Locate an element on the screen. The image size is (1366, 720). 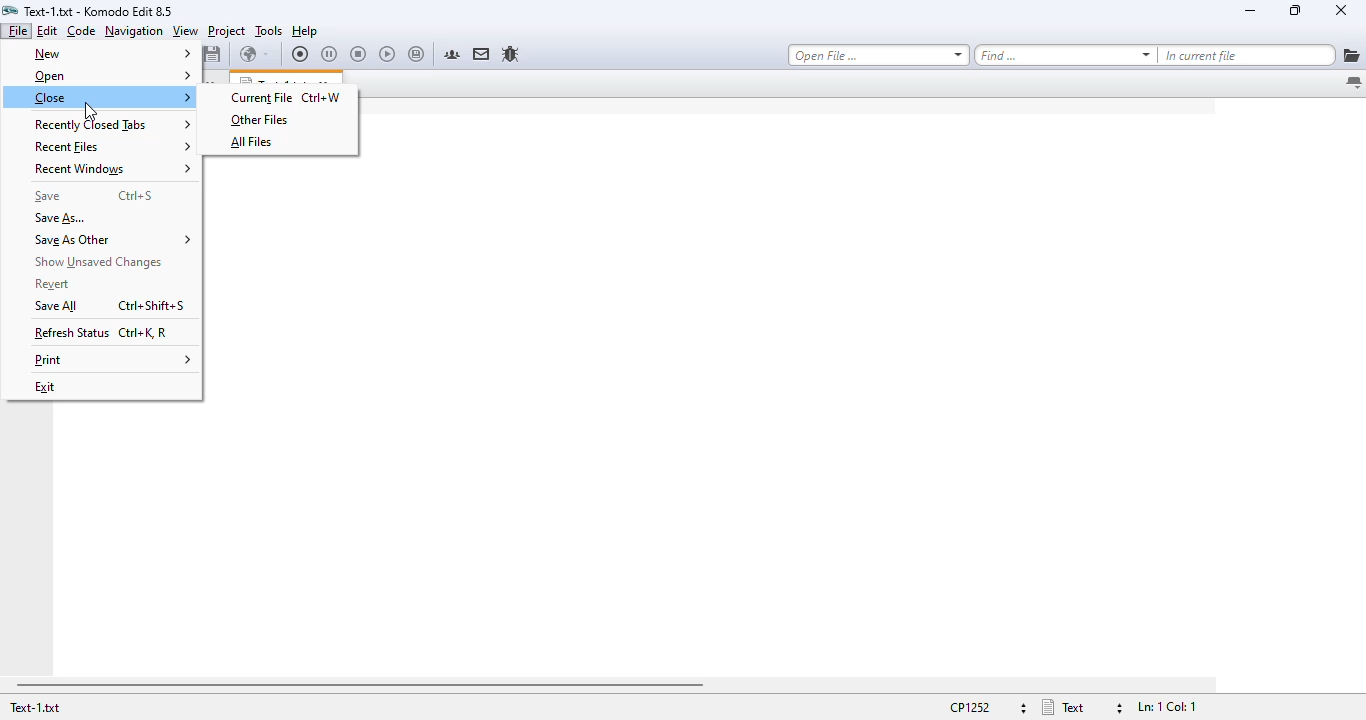
recent windows is located at coordinates (113, 169).